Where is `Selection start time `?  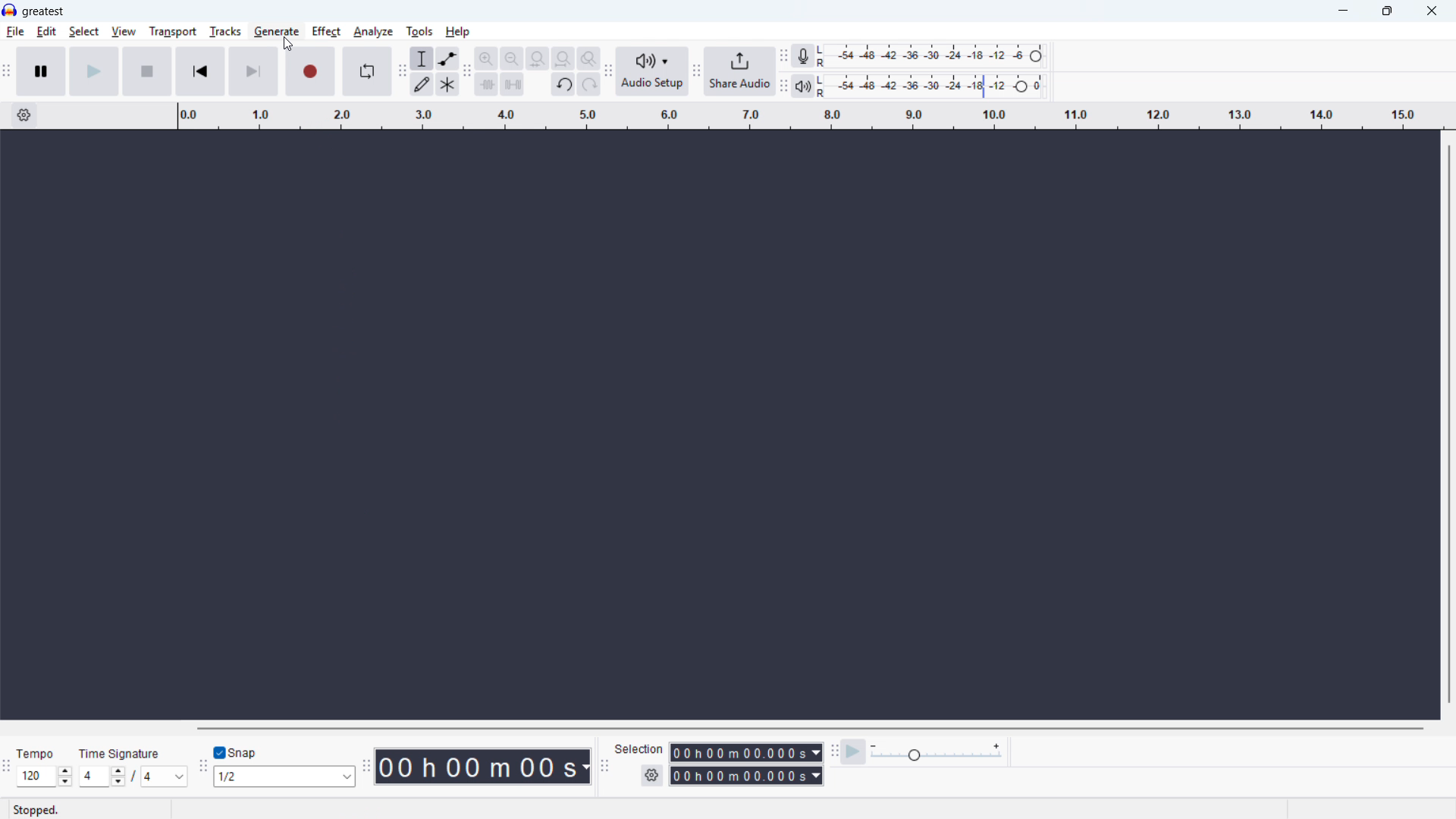
Selection start time  is located at coordinates (745, 752).